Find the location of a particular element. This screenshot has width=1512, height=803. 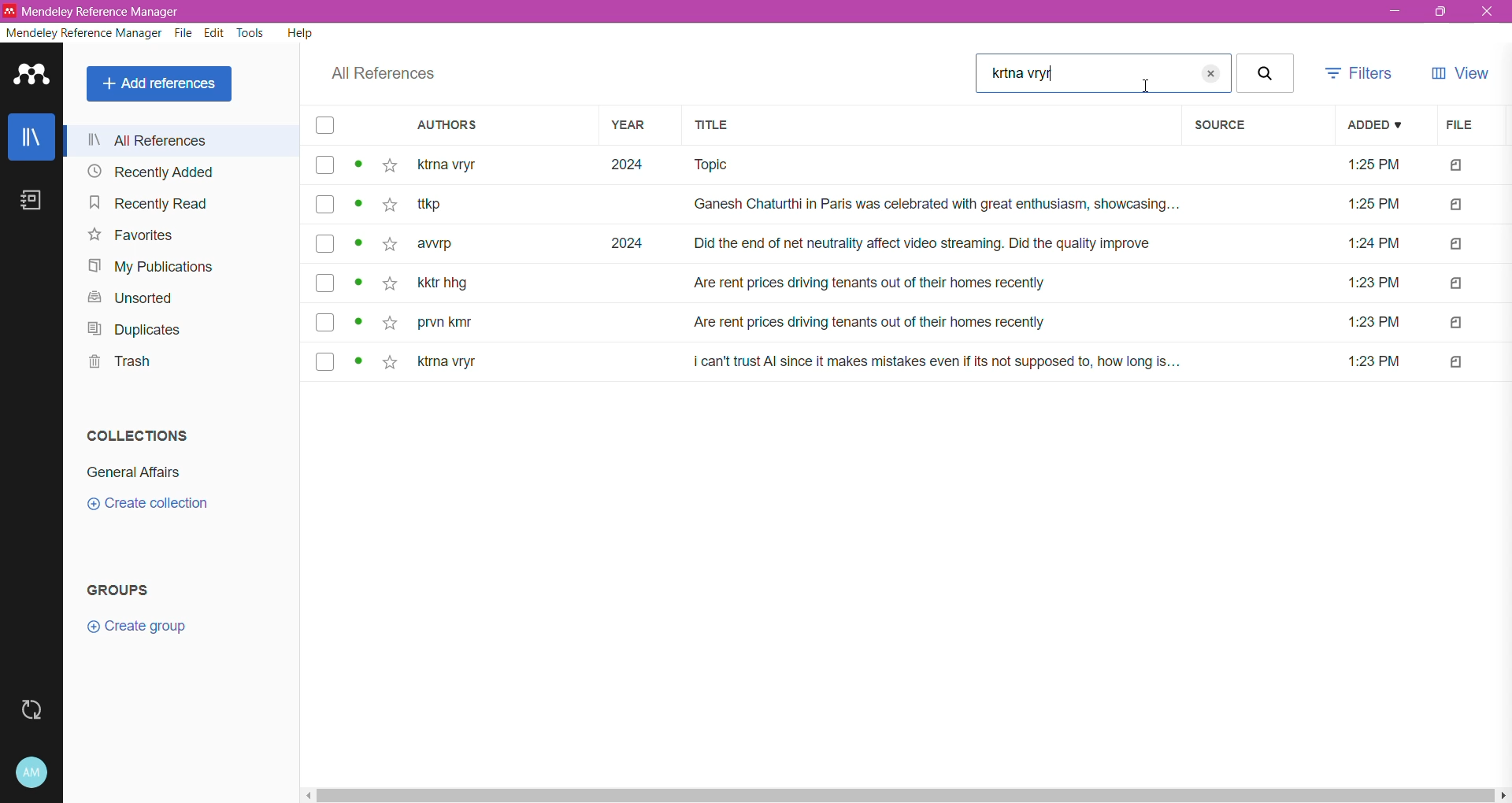

Recently Read is located at coordinates (146, 203).